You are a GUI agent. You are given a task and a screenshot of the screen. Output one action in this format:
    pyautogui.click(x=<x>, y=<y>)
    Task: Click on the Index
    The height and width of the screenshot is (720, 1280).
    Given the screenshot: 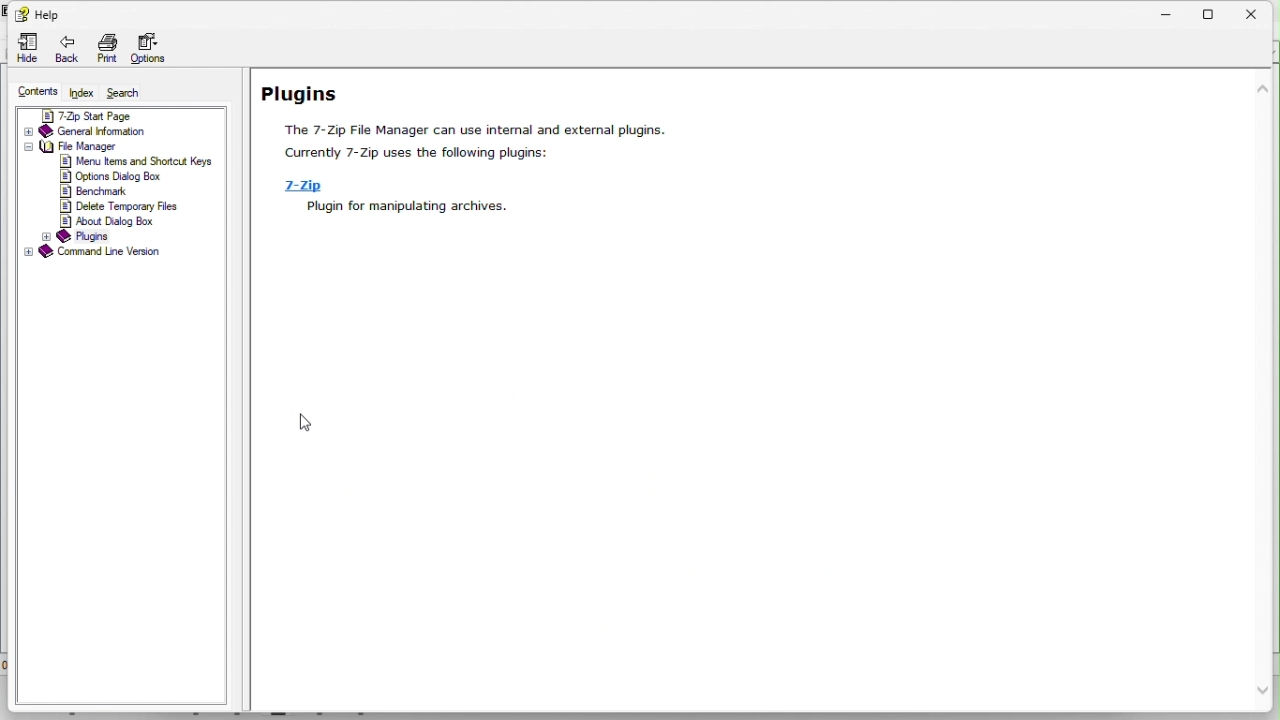 What is the action you would take?
    pyautogui.click(x=81, y=91)
    